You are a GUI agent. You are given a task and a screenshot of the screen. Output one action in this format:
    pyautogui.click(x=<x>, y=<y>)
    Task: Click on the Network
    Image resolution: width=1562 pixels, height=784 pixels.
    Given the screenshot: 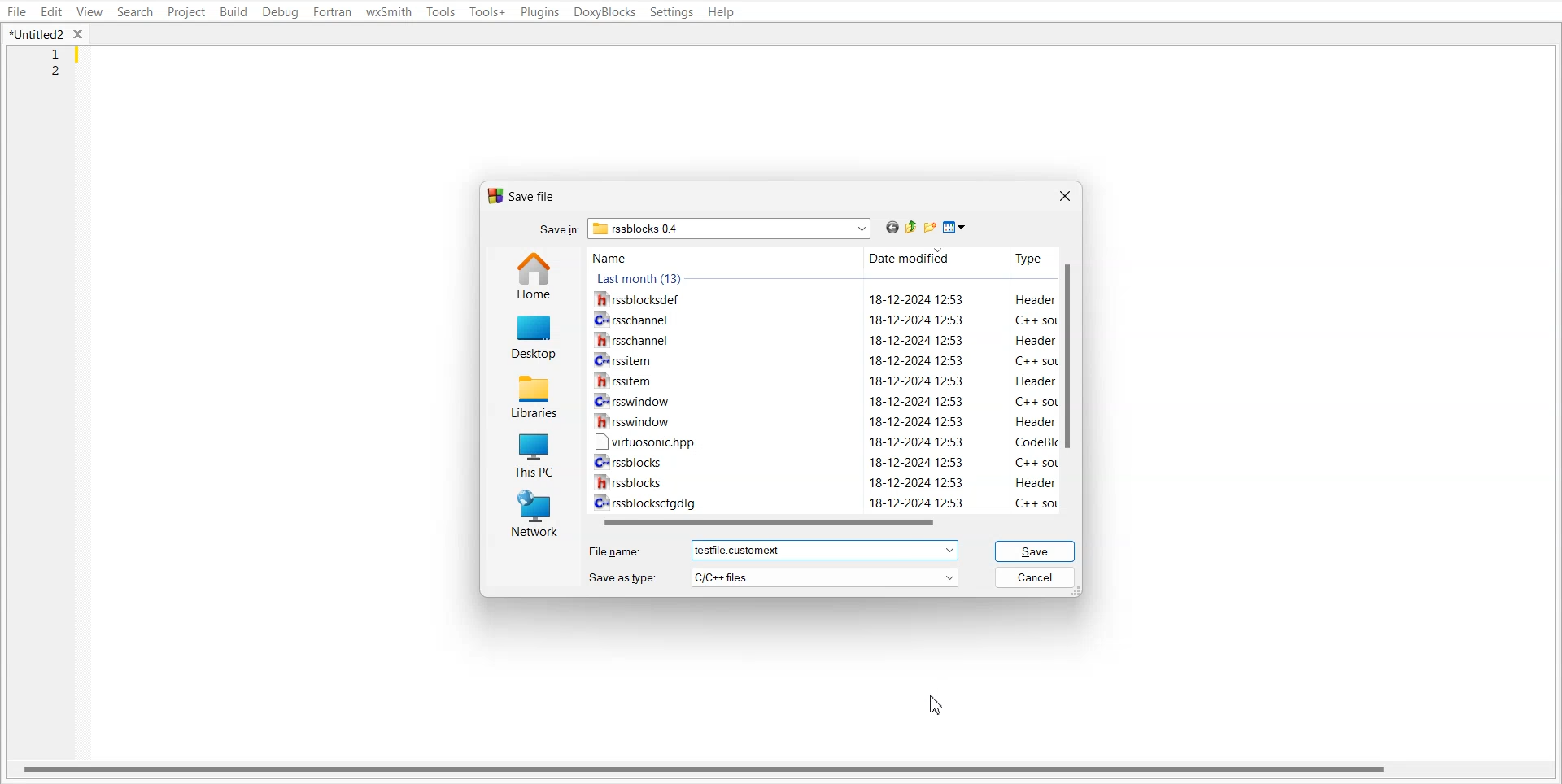 What is the action you would take?
    pyautogui.click(x=535, y=514)
    